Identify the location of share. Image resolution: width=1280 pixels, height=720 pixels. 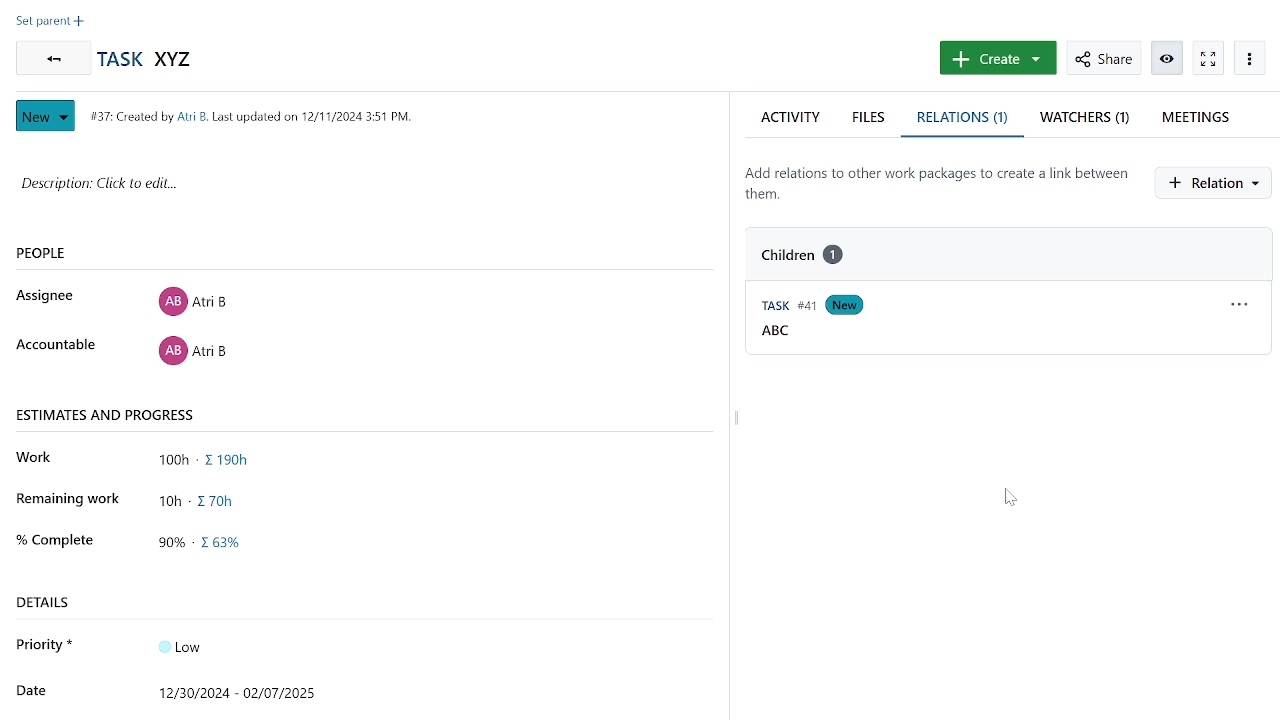
(1103, 58).